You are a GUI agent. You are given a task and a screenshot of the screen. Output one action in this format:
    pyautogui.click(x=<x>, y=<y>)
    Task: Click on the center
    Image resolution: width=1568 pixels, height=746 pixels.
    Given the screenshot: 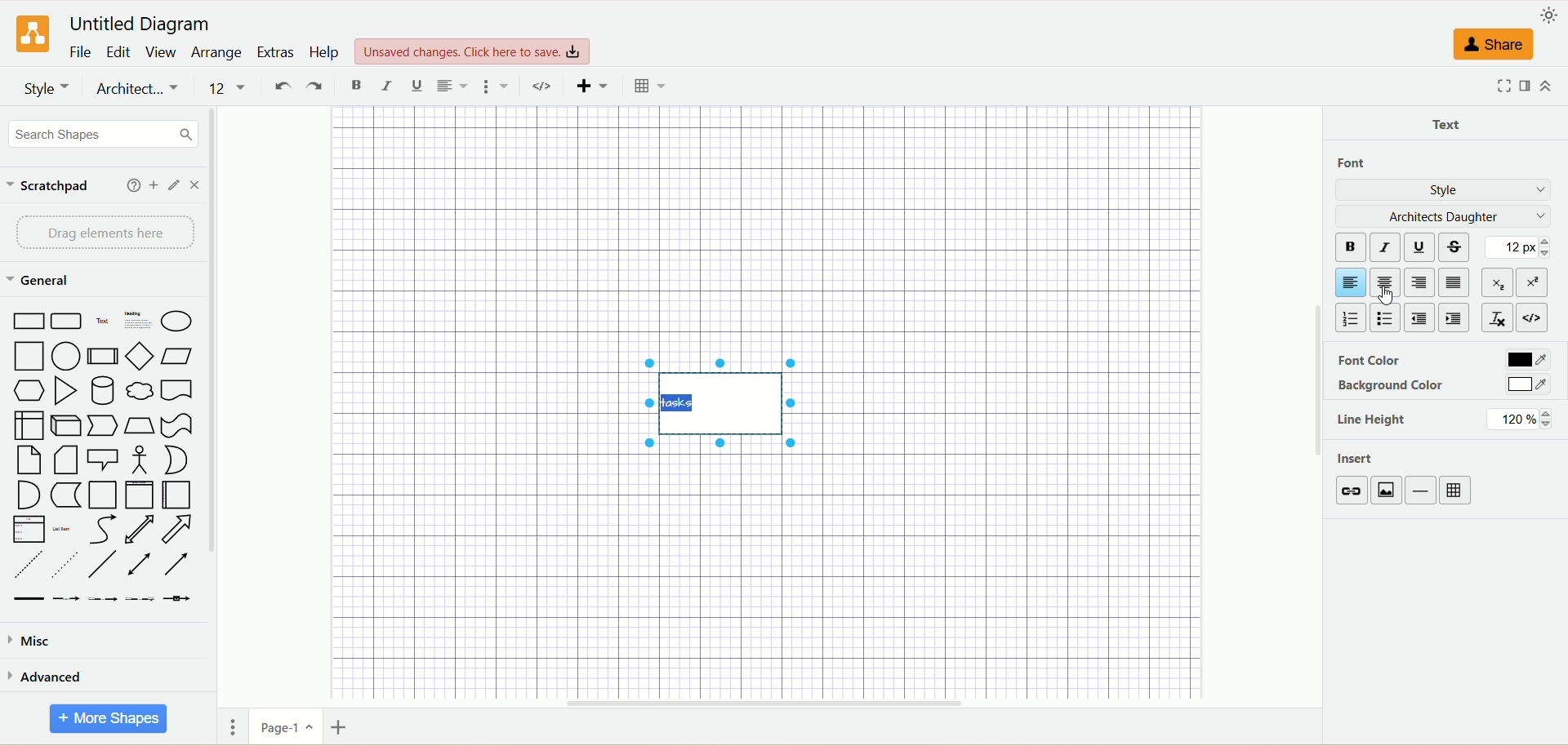 What is the action you would take?
    pyautogui.click(x=1383, y=282)
    